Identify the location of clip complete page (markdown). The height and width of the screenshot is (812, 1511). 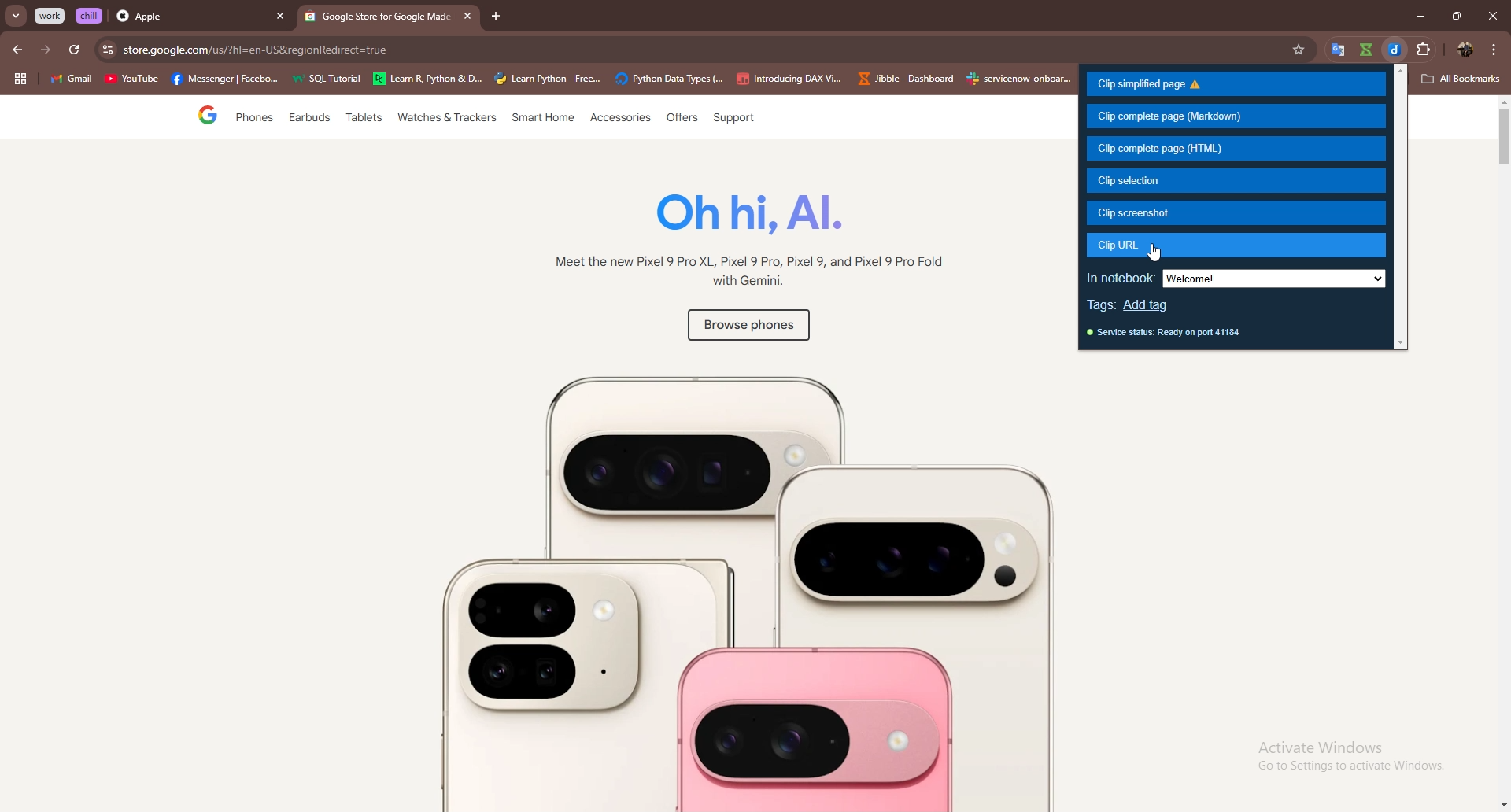
(1236, 117).